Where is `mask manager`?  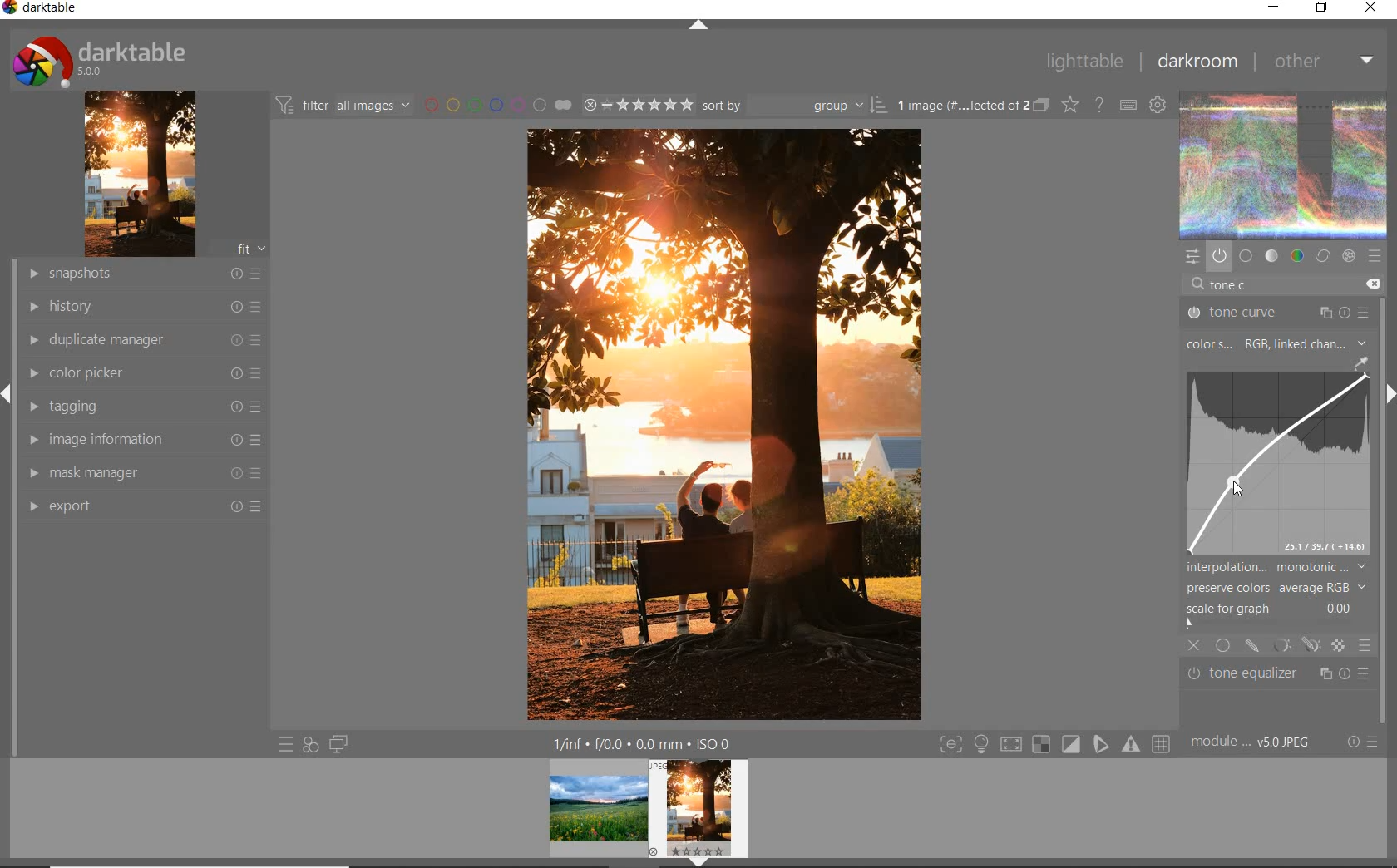
mask manager is located at coordinates (143, 476).